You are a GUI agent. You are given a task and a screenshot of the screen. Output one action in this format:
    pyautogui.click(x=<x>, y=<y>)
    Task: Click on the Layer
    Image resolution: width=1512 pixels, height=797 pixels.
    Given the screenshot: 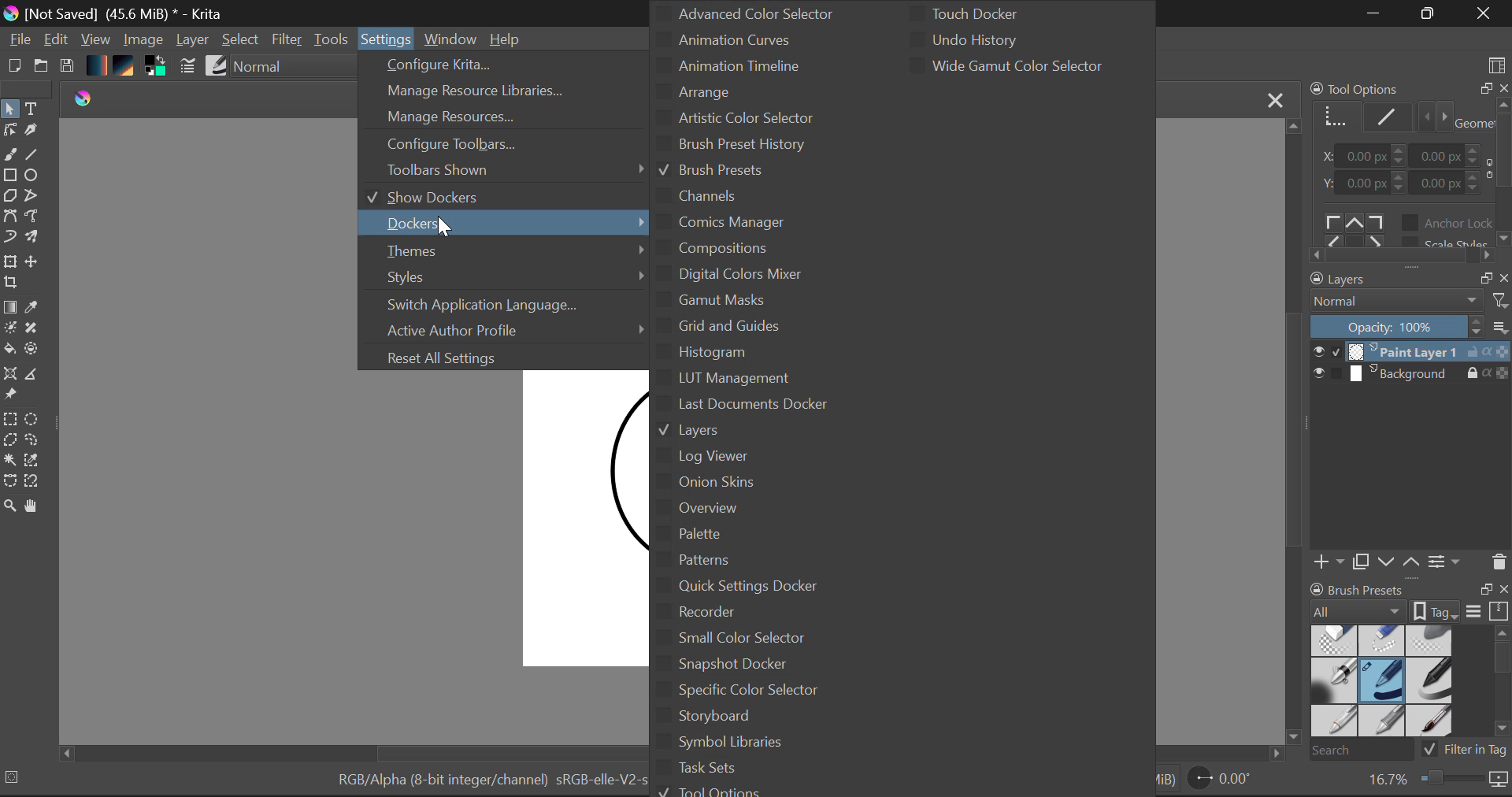 What is the action you would take?
    pyautogui.click(x=194, y=41)
    